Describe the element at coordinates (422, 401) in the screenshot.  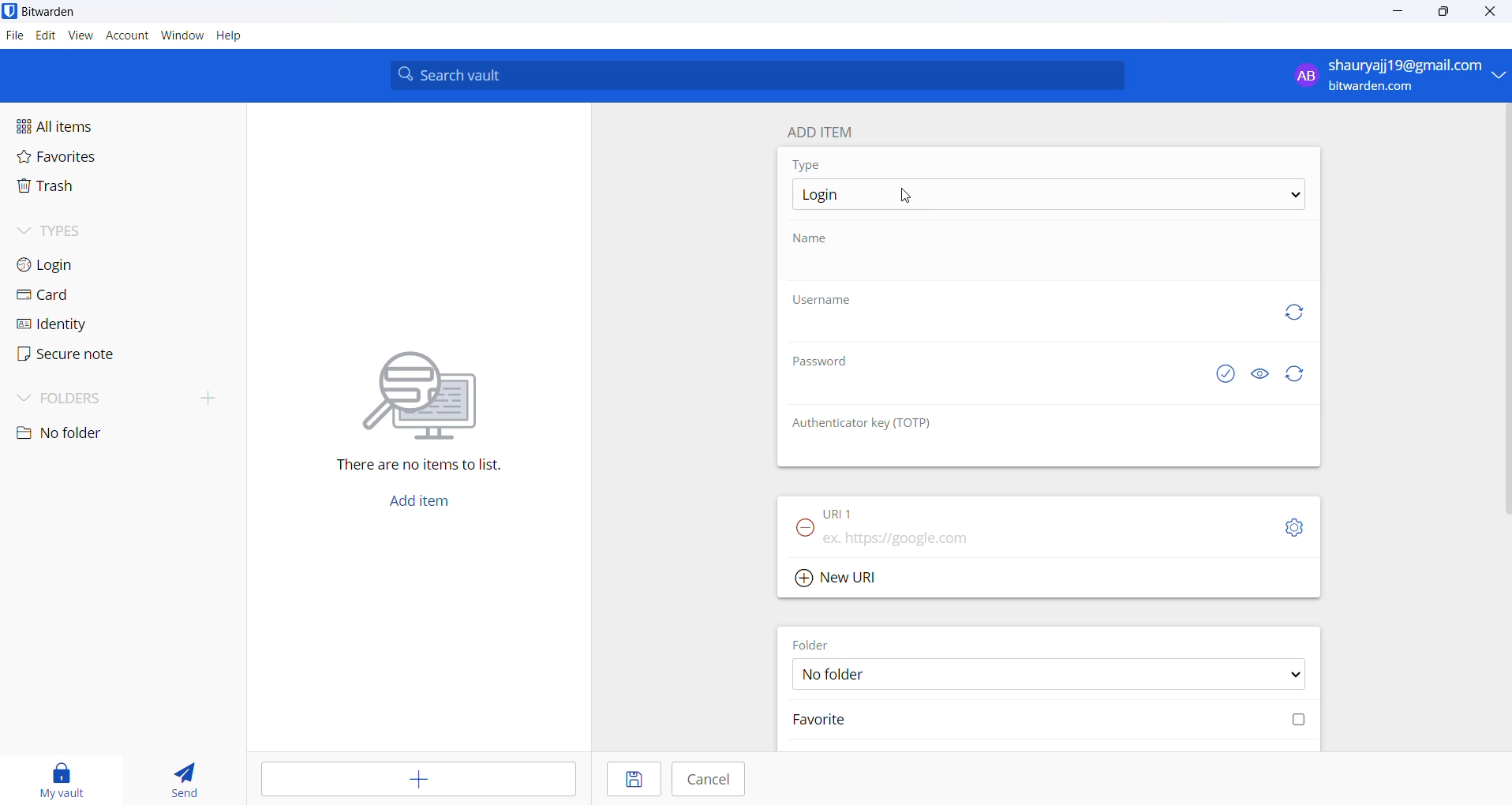
I see `graphic and text` at that location.